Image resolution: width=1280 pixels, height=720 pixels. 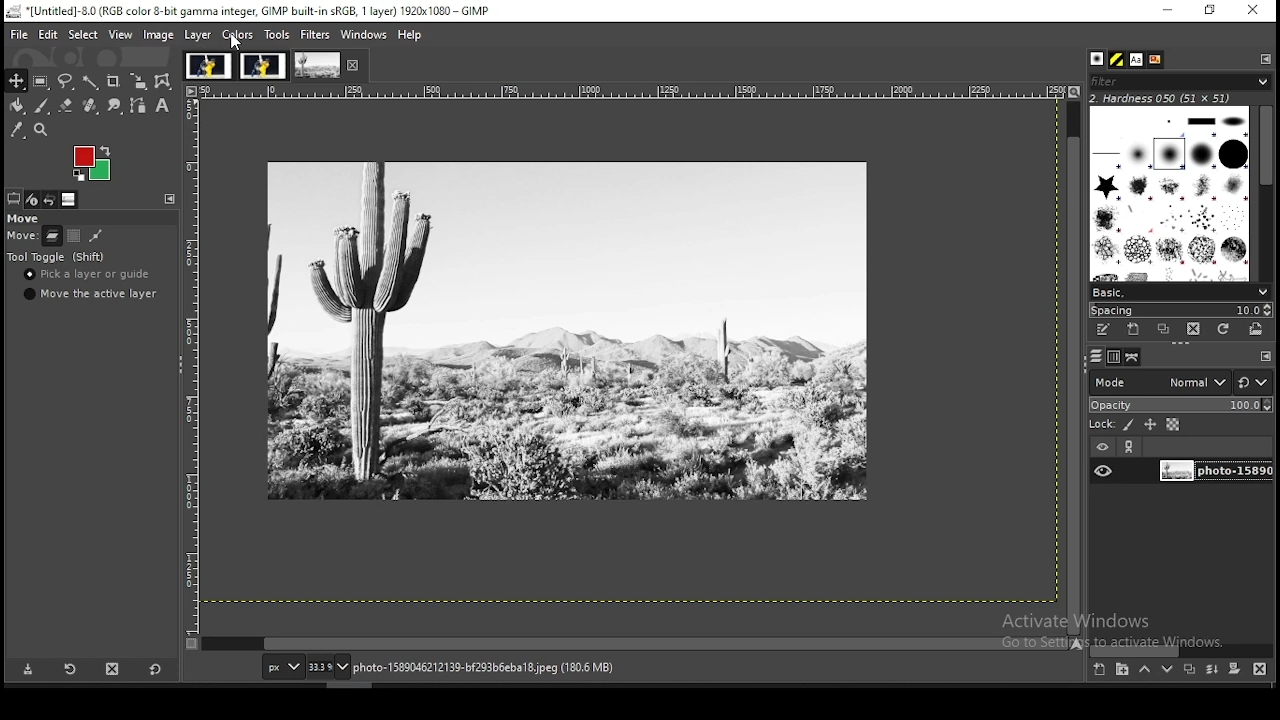 I want to click on link, so click(x=1131, y=447).